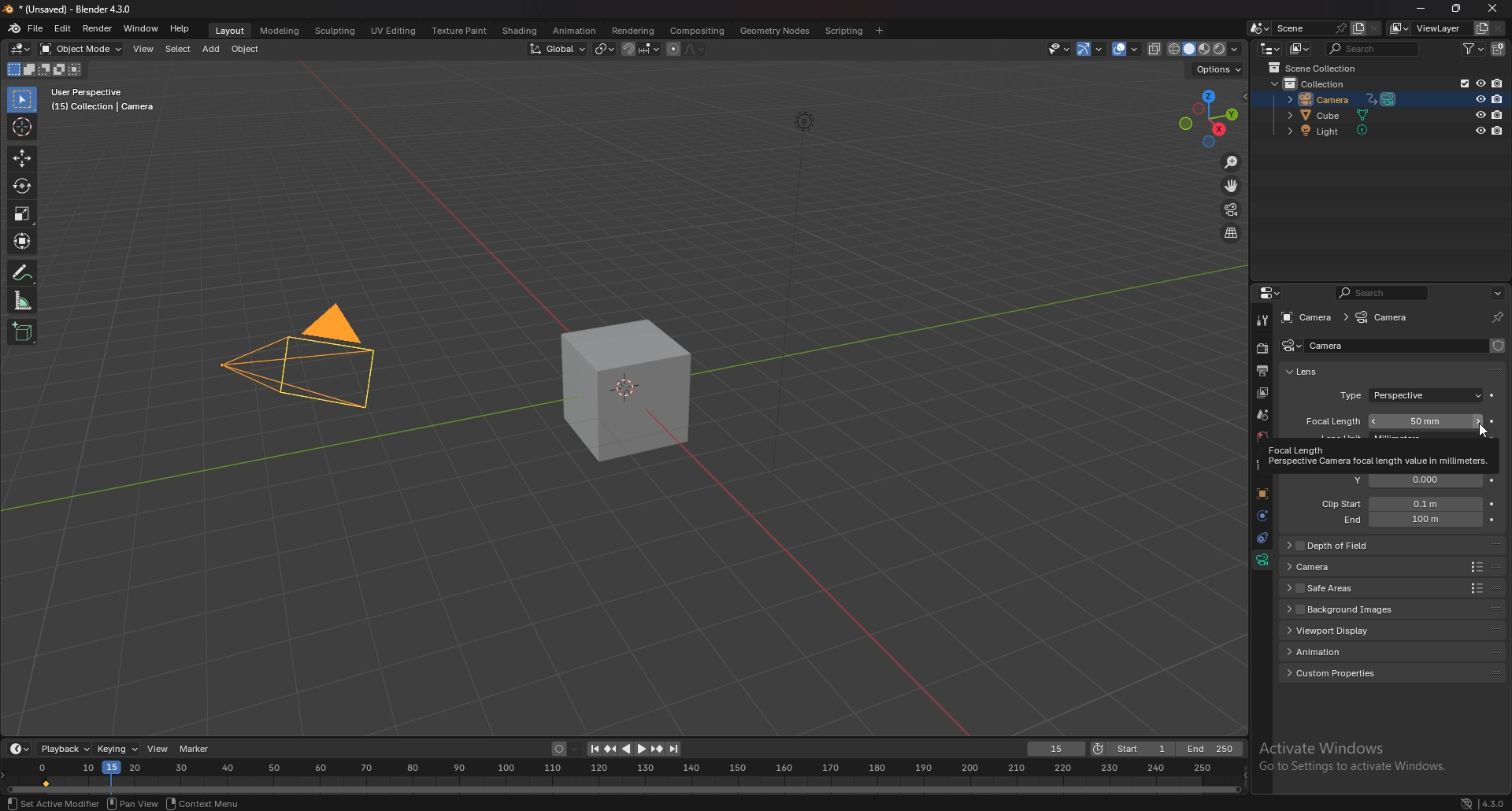 Image resolution: width=1512 pixels, height=811 pixels. What do you see at coordinates (1219, 69) in the screenshot?
I see `options` at bounding box center [1219, 69].